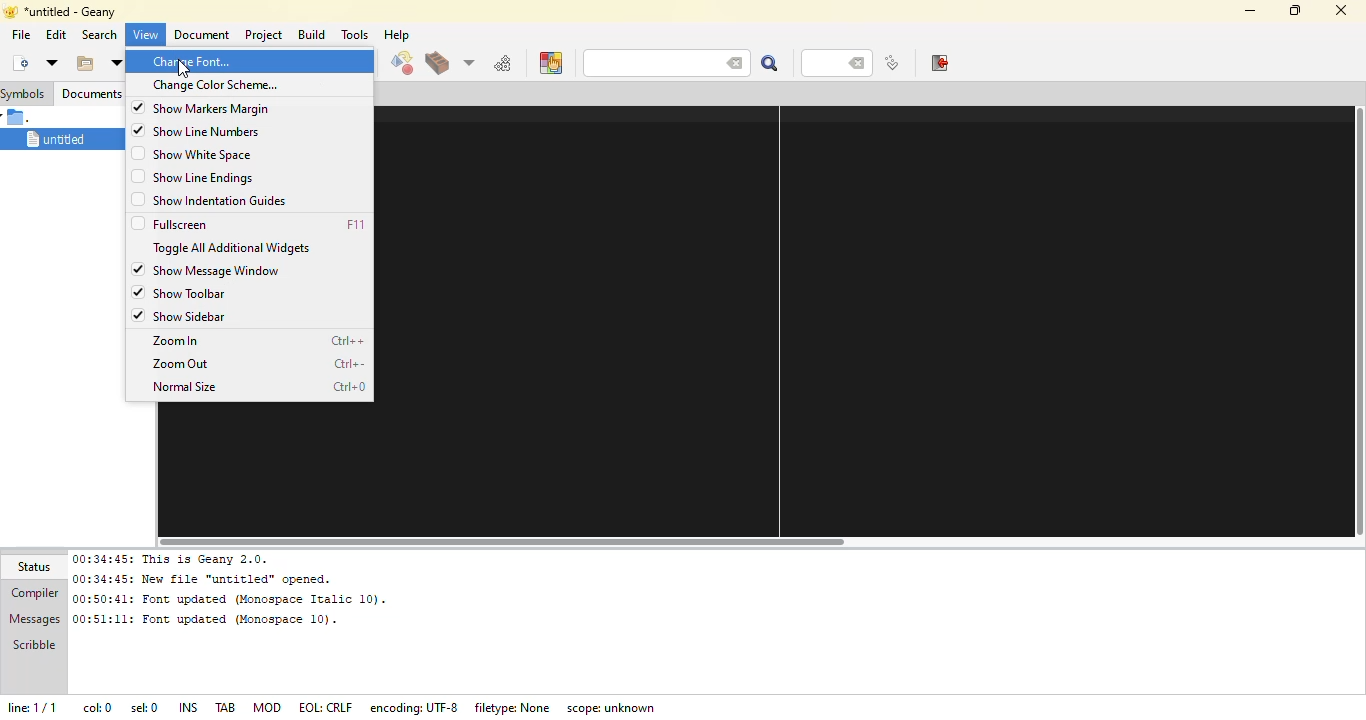  Describe the element at coordinates (97, 34) in the screenshot. I see `search` at that location.